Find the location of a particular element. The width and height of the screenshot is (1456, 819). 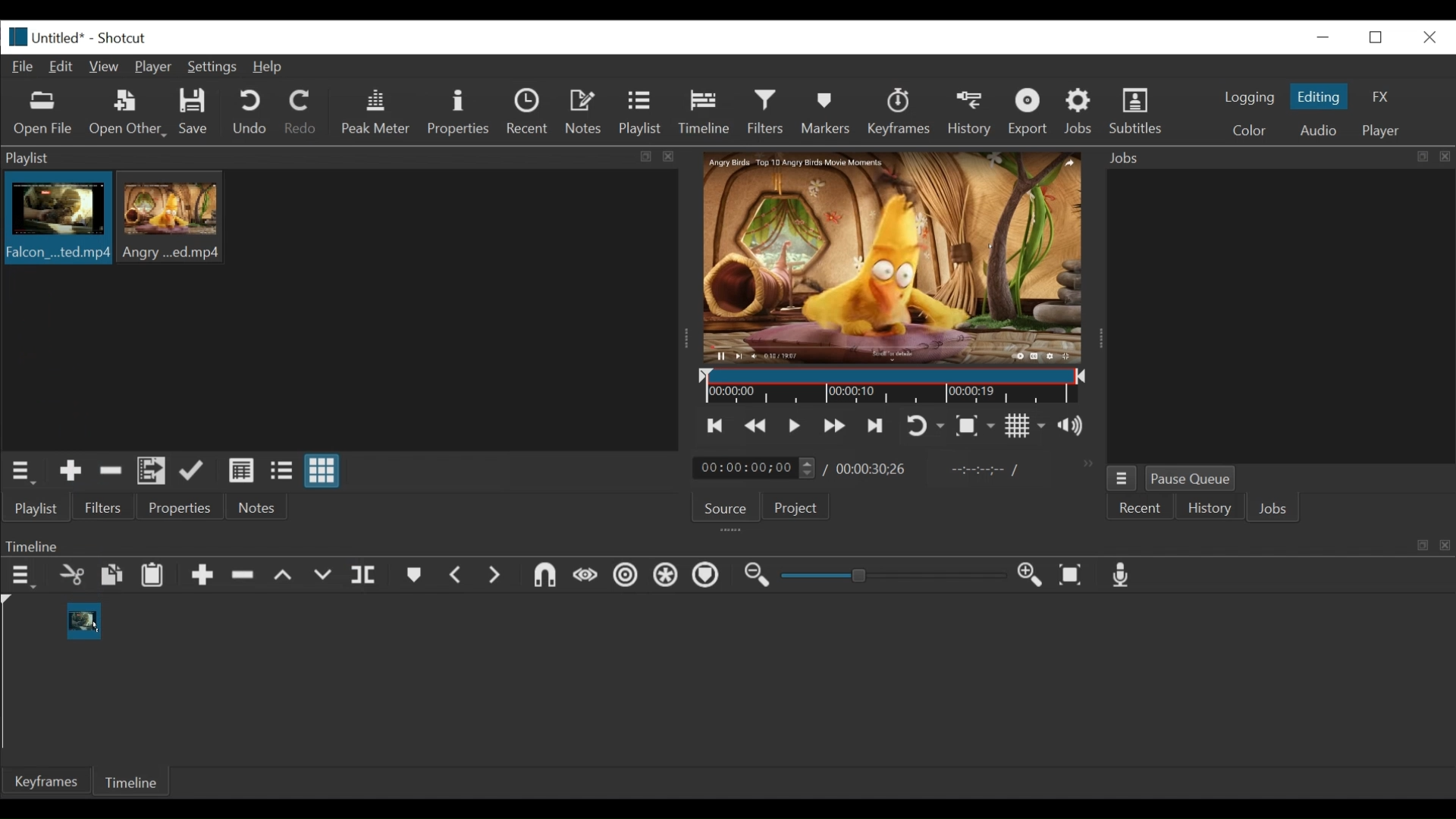

in point is located at coordinates (981, 472).